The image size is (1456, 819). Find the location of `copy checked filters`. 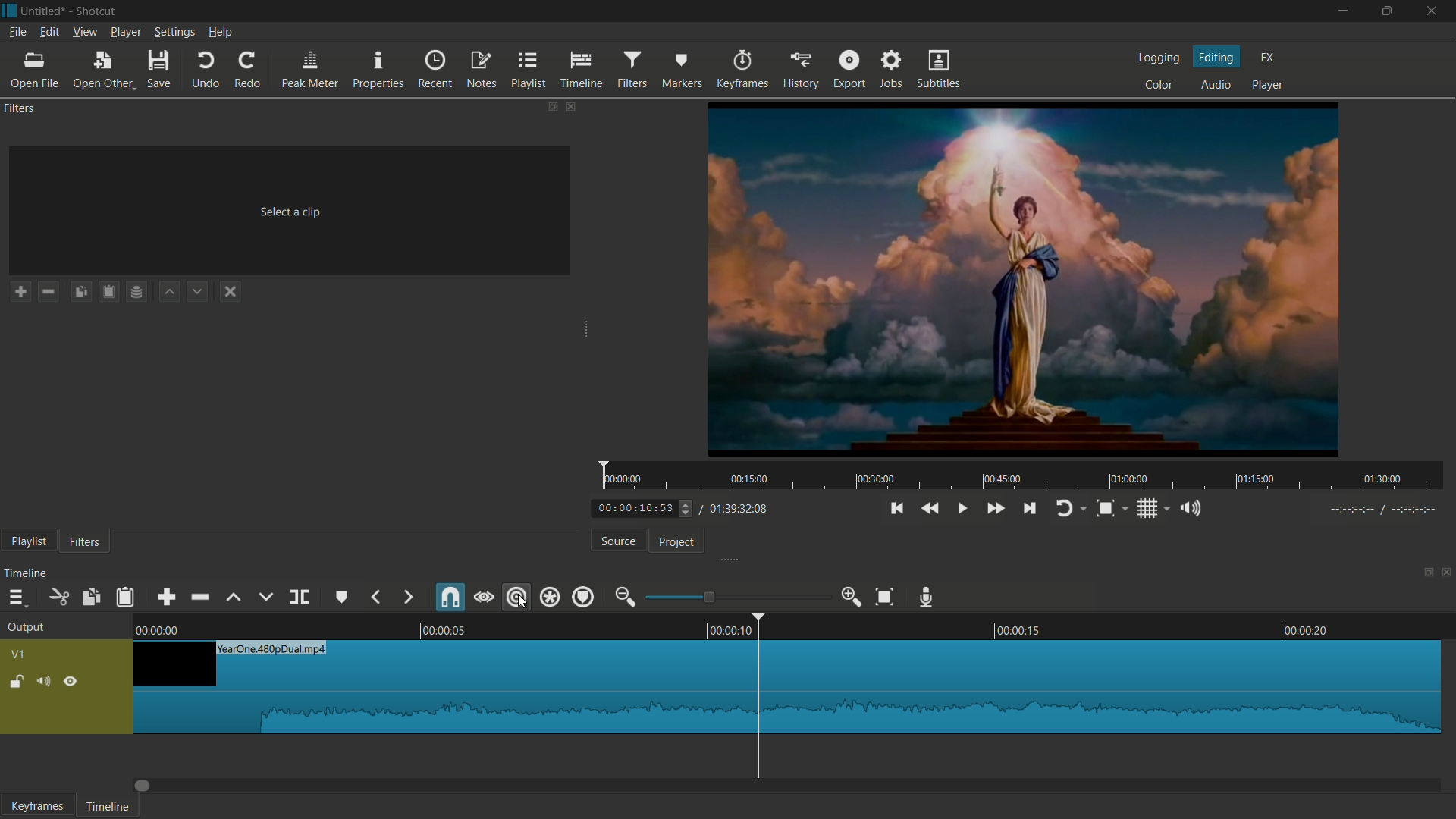

copy checked filters is located at coordinates (80, 292).